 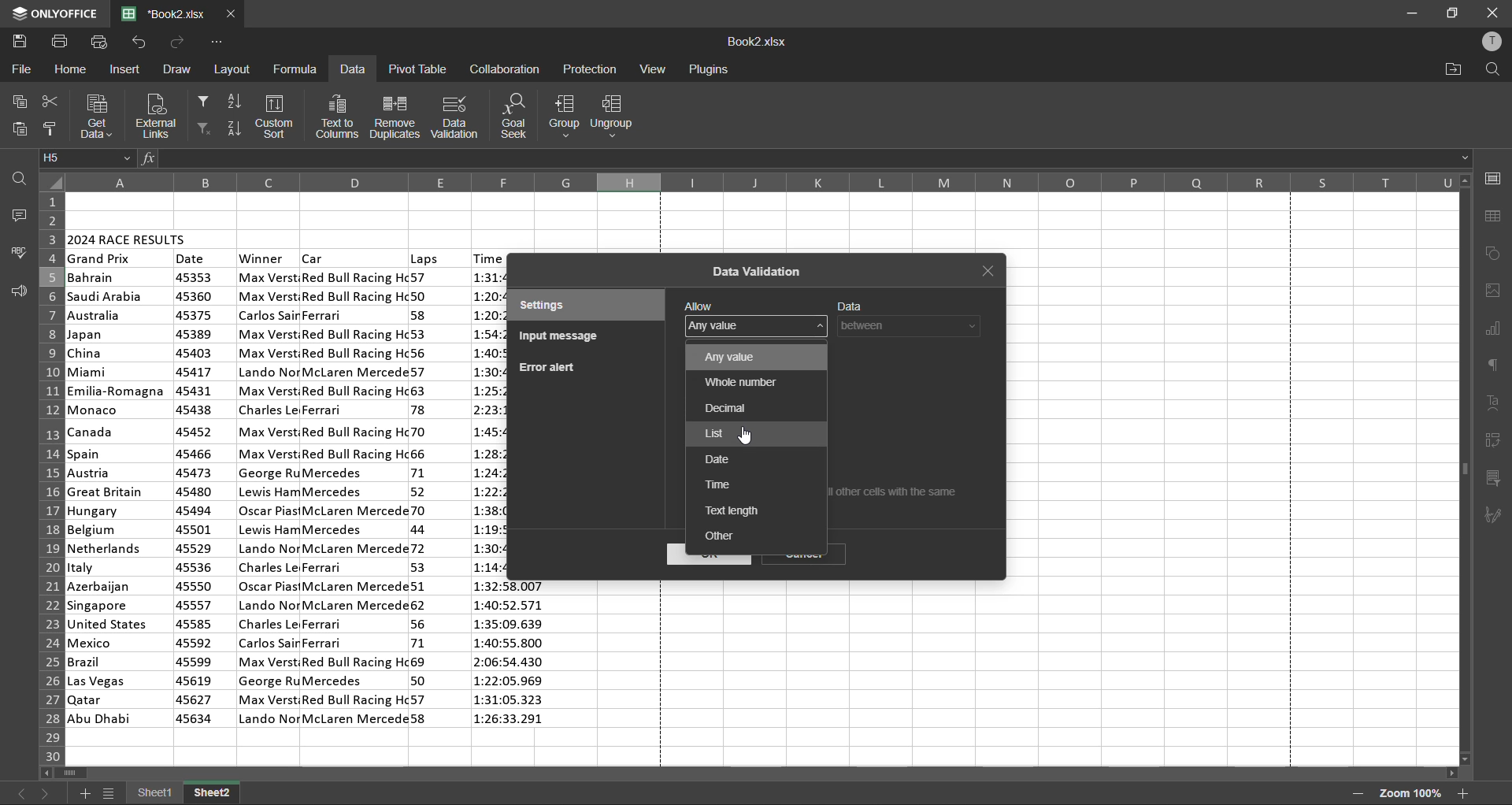 What do you see at coordinates (54, 13) in the screenshot?
I see `app name` at bounding box center [54, 13].